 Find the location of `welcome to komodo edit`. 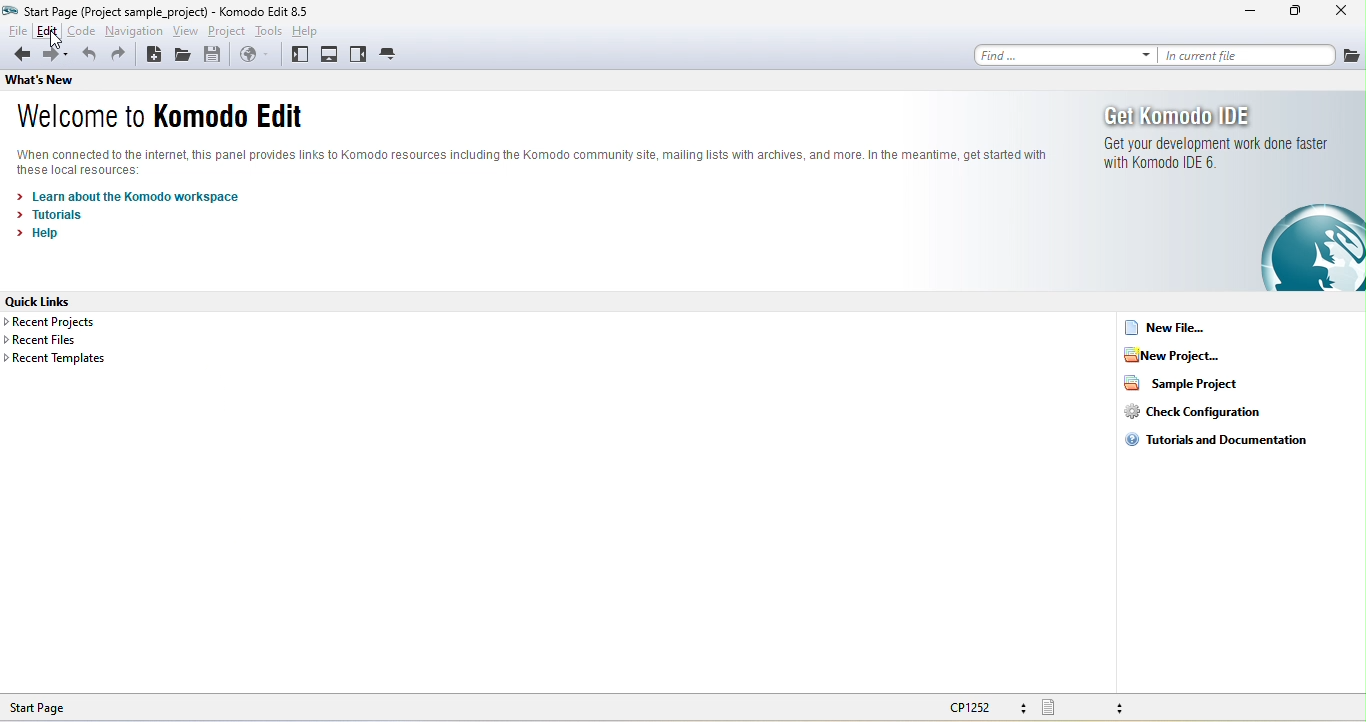

welcome to komodo edit is located at coordinates (161, 118).